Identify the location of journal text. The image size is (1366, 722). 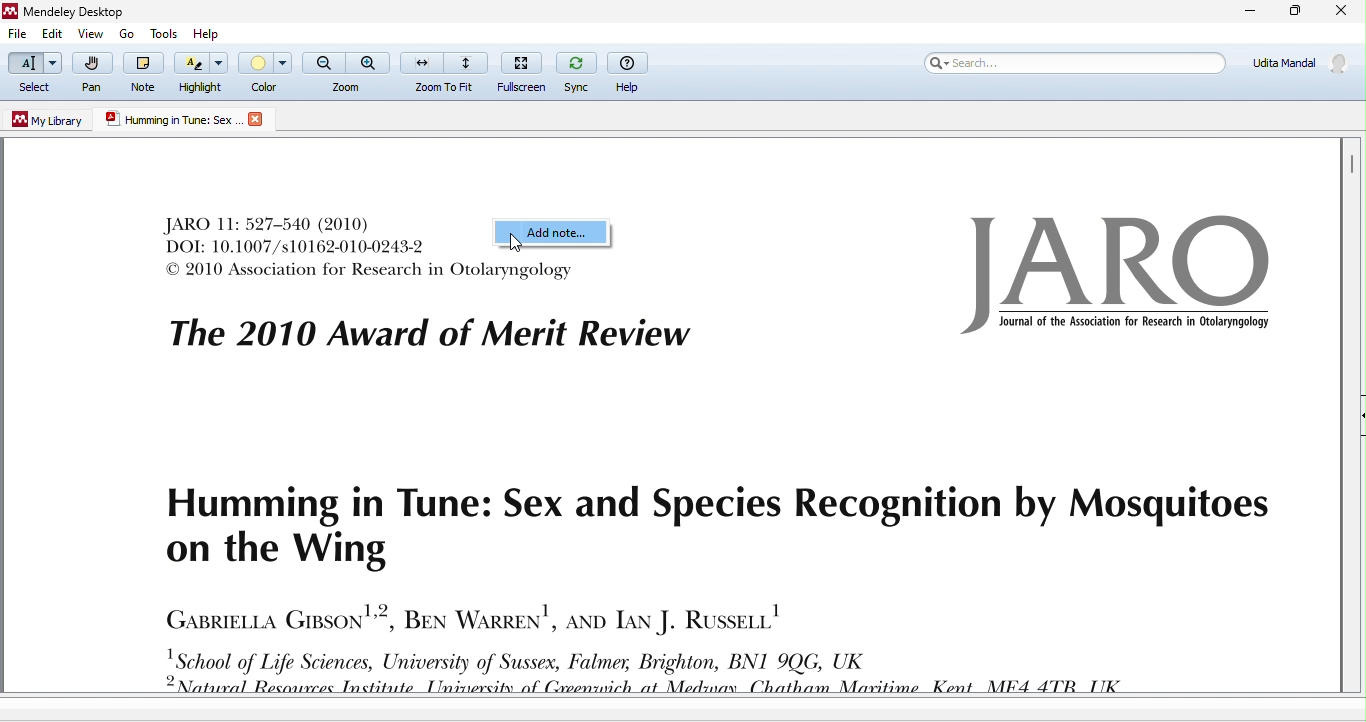
(701, 573).